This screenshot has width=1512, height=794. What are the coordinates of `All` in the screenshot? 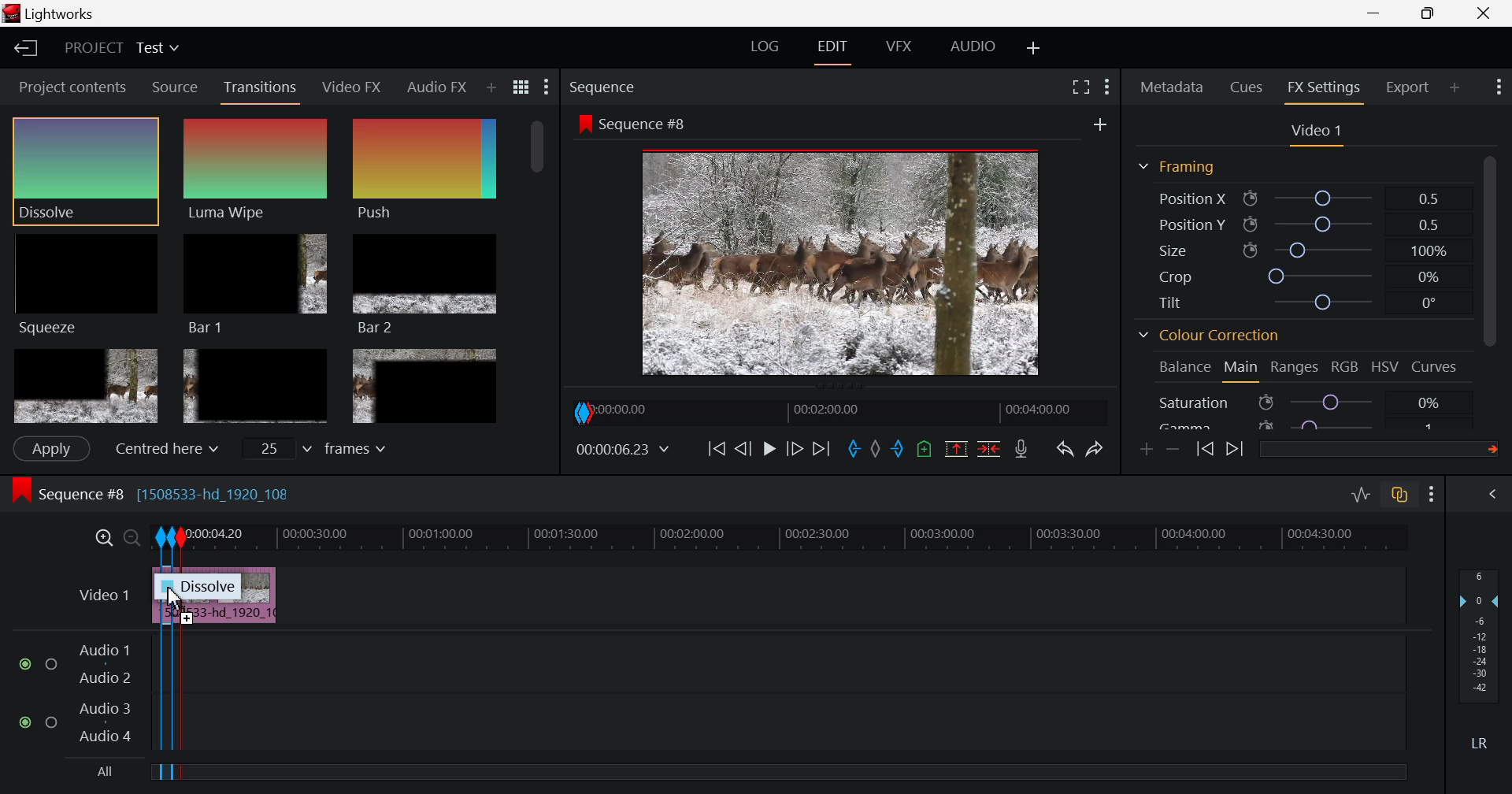 It's located at (109, 773).